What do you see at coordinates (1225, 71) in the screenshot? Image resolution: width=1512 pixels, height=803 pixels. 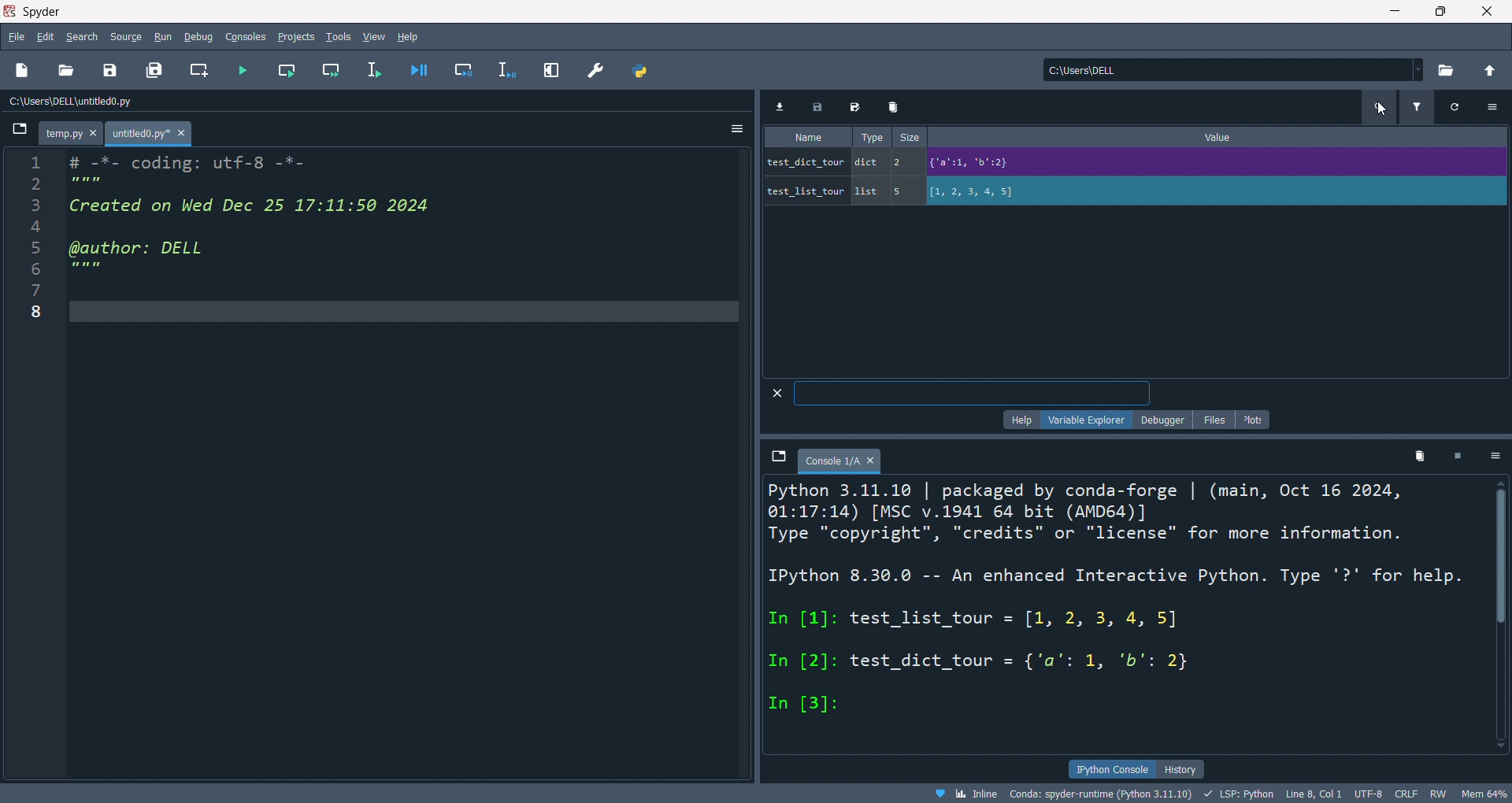 I see `current directory` at bounding box center [1225, 71].